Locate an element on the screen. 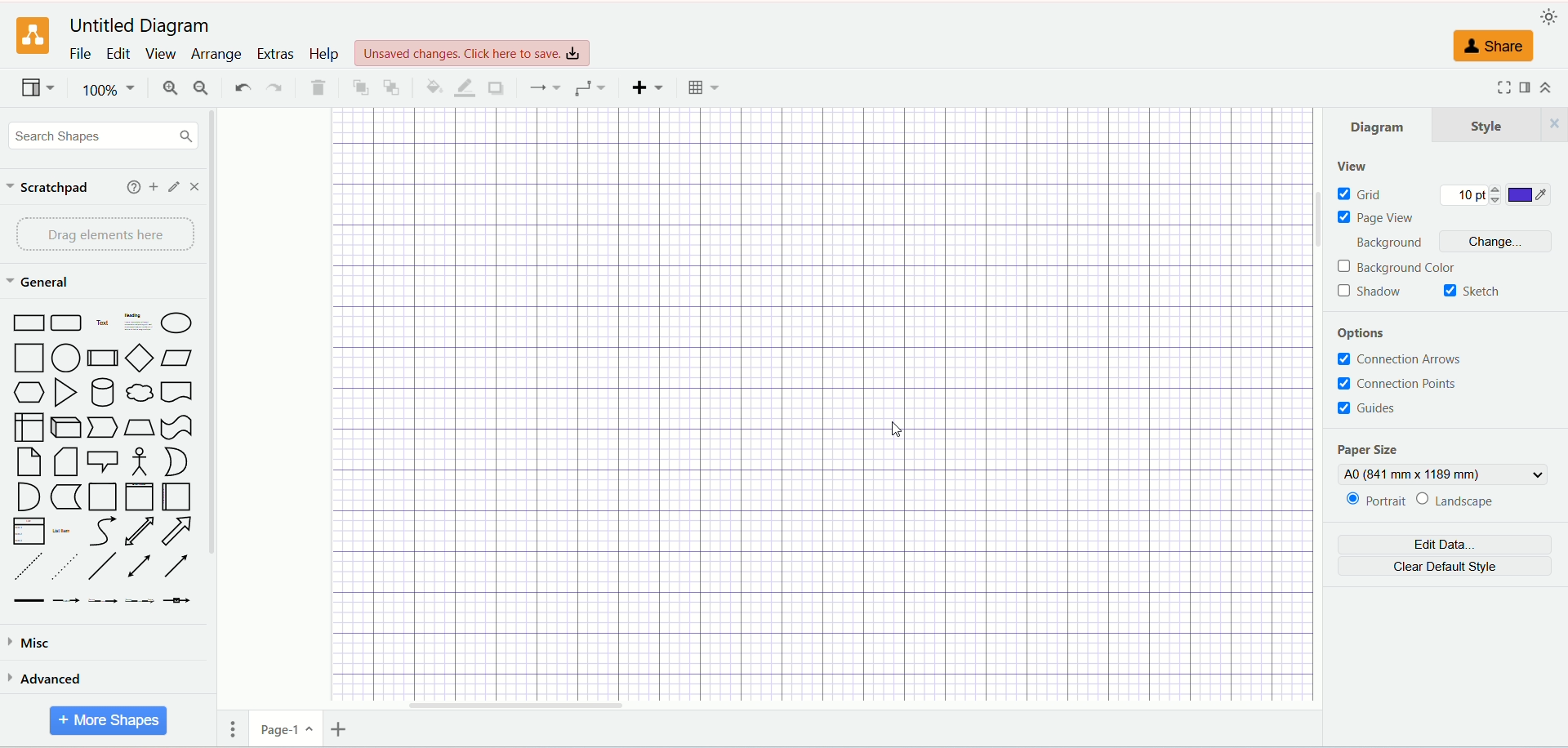  click here to save is located at coordinates (474, 51).